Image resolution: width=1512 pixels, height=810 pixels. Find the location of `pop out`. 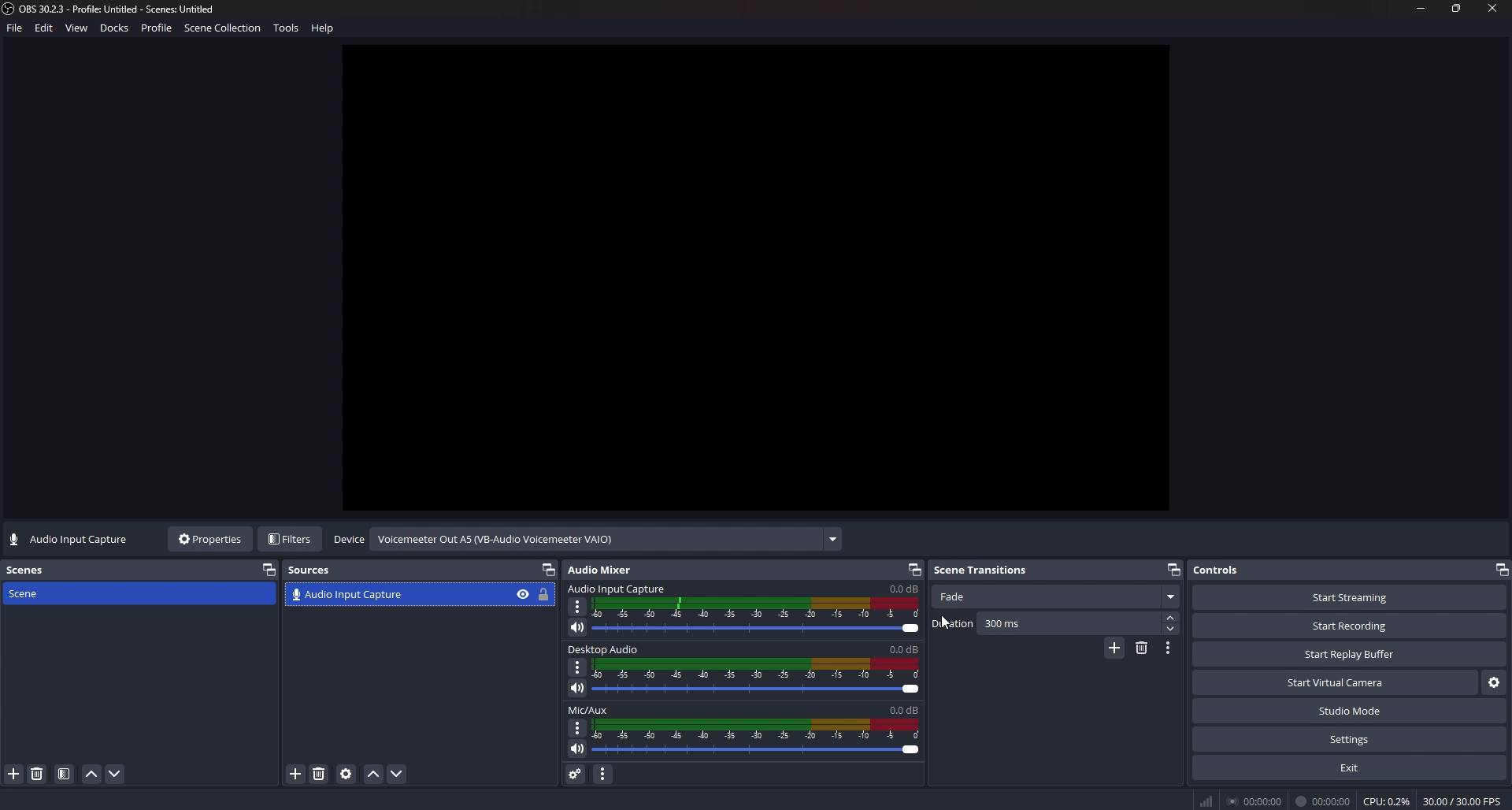

pop out is located at coordinates (269, 569).